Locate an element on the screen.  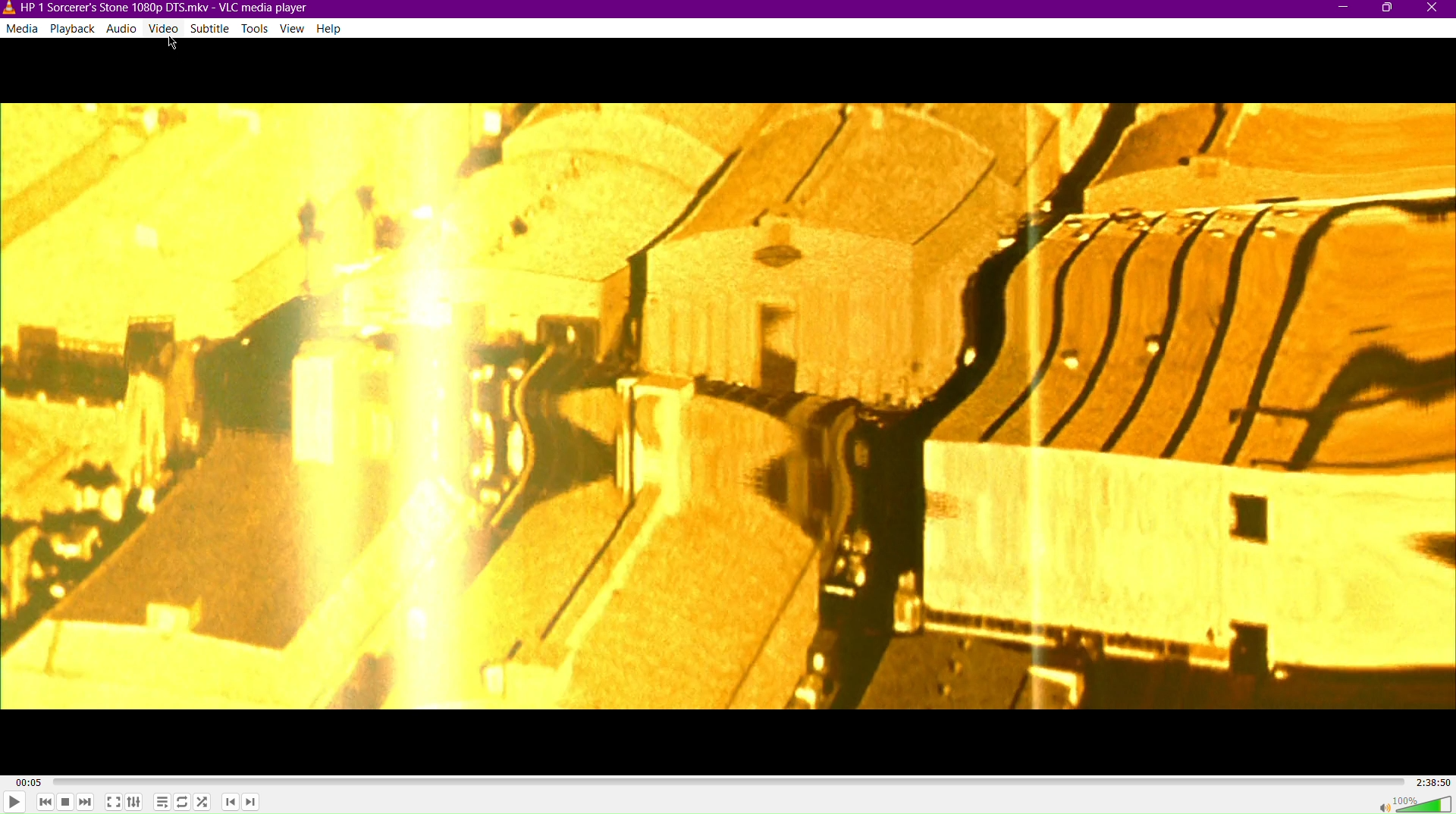
Tools is located at coordinates (258, 28).